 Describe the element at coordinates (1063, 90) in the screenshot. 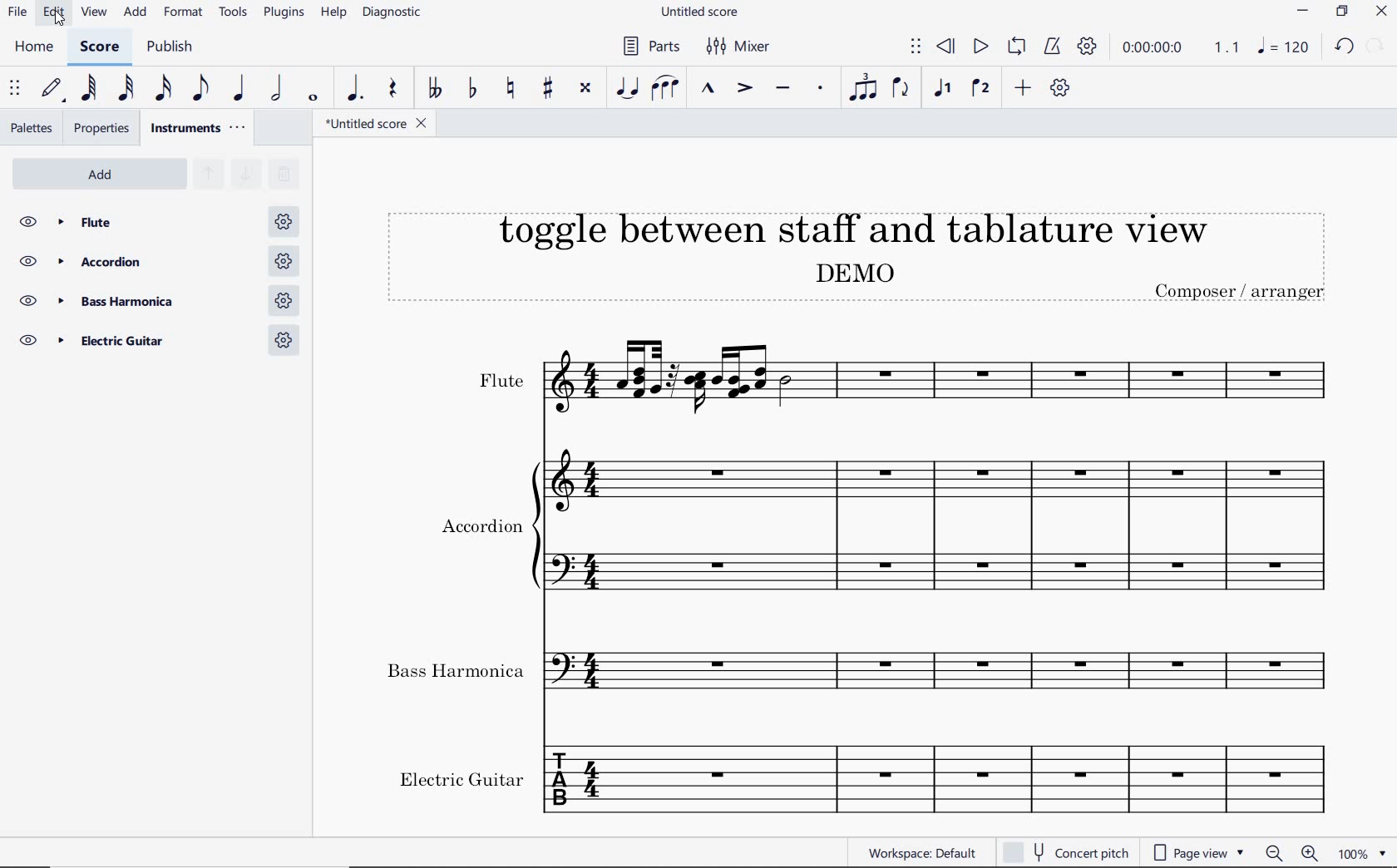

I see `customize toolbar` at that location.